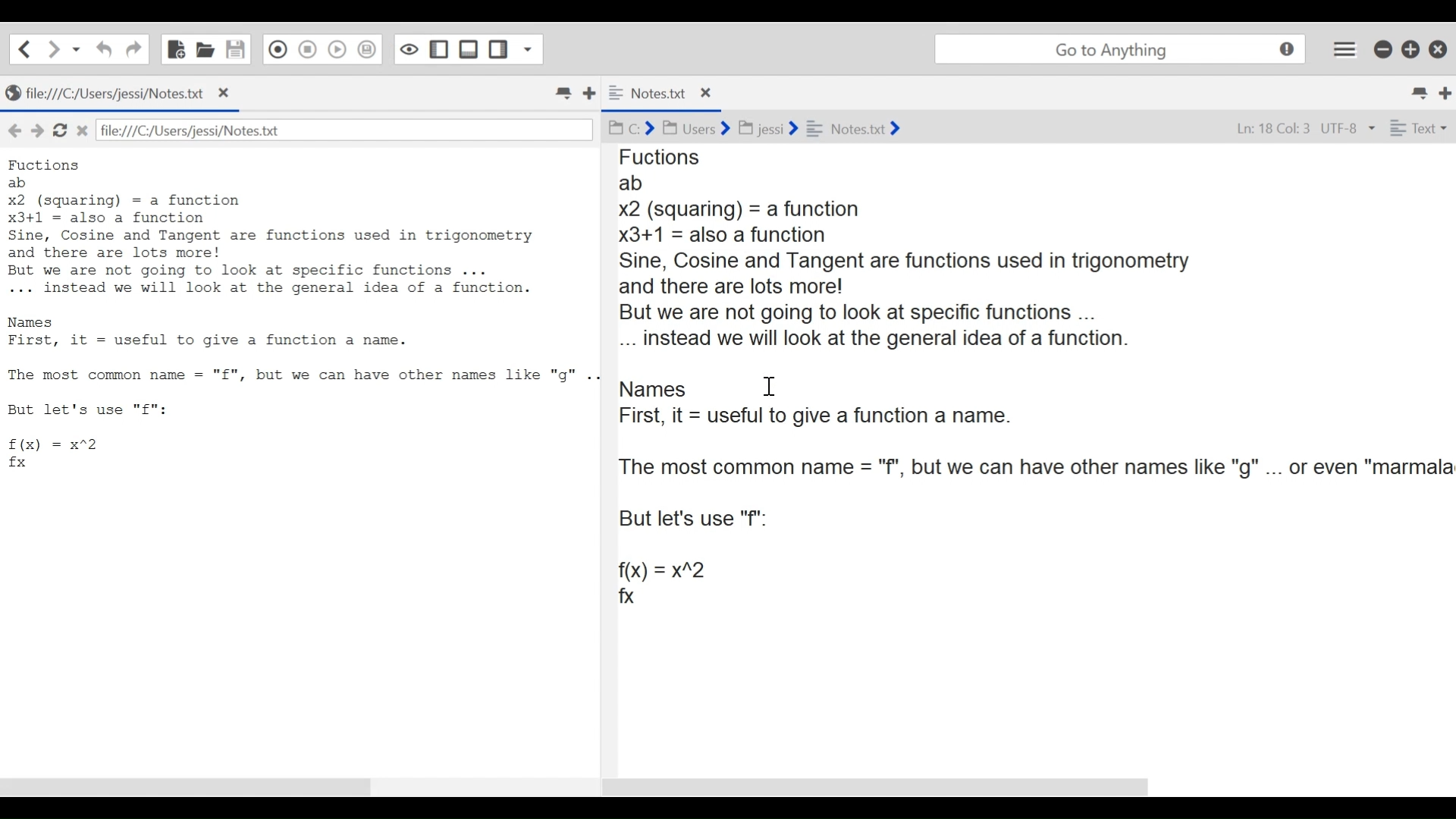 The width and height of the screenshot is (1456, 819). What do you see at coordinates (24, 49) in the screenshot?
I see `Go Back one location` at bounding box center [24, 49].